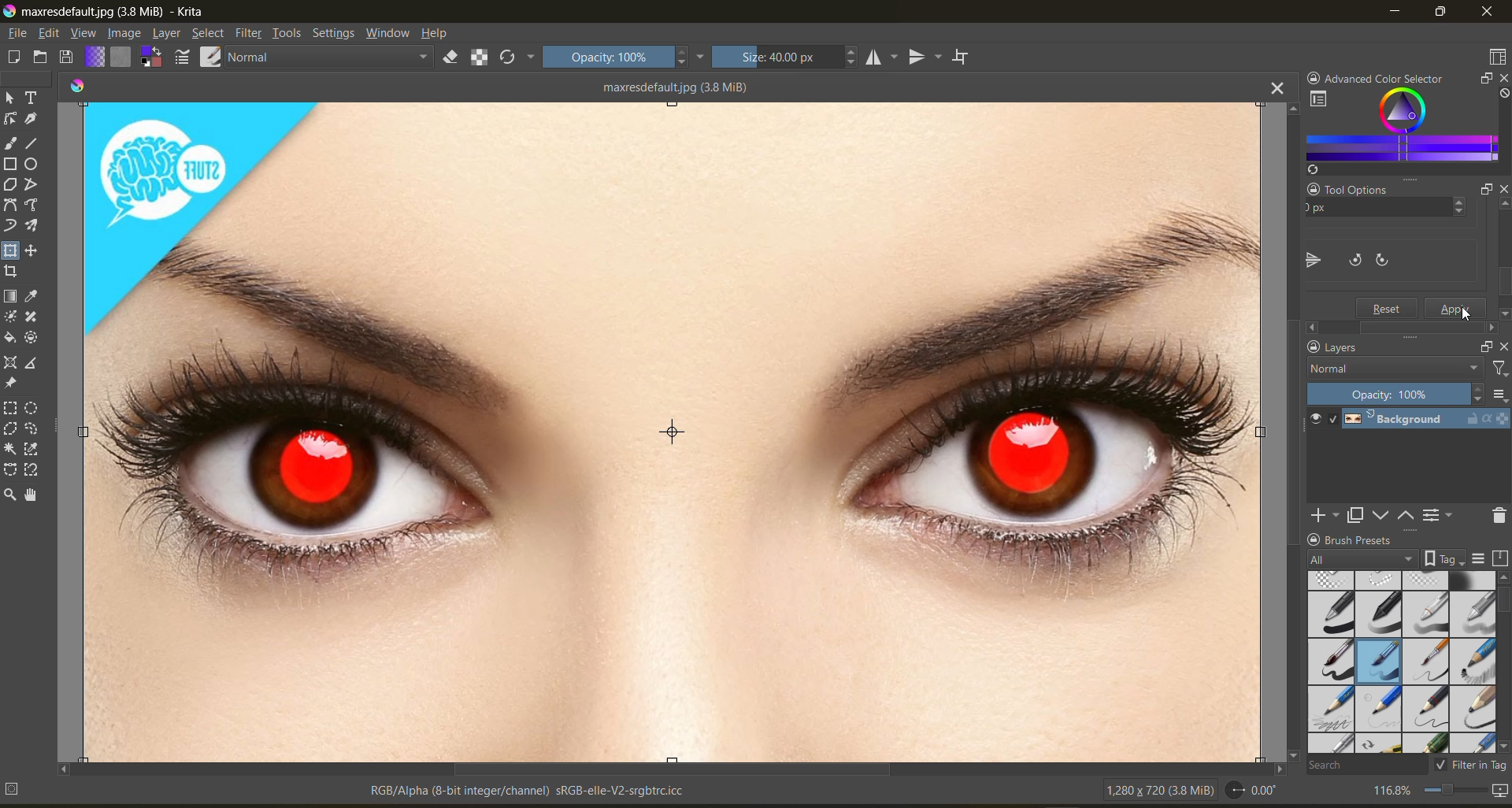  Describe the element at coordinates (11, 250) in the screenshot. I see `tool` at that location.